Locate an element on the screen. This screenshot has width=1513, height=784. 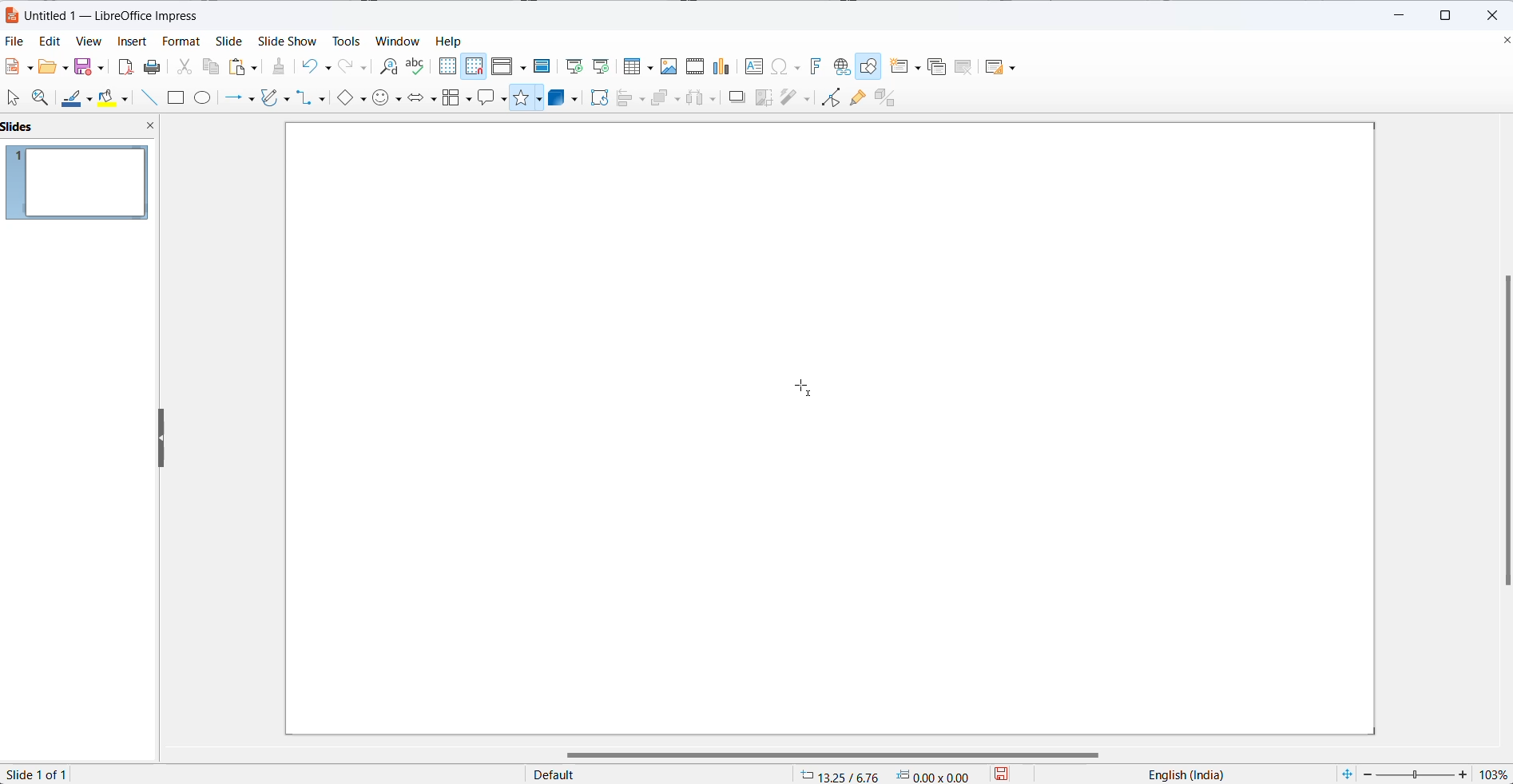
3d objects is located at coordinates (565, 98).